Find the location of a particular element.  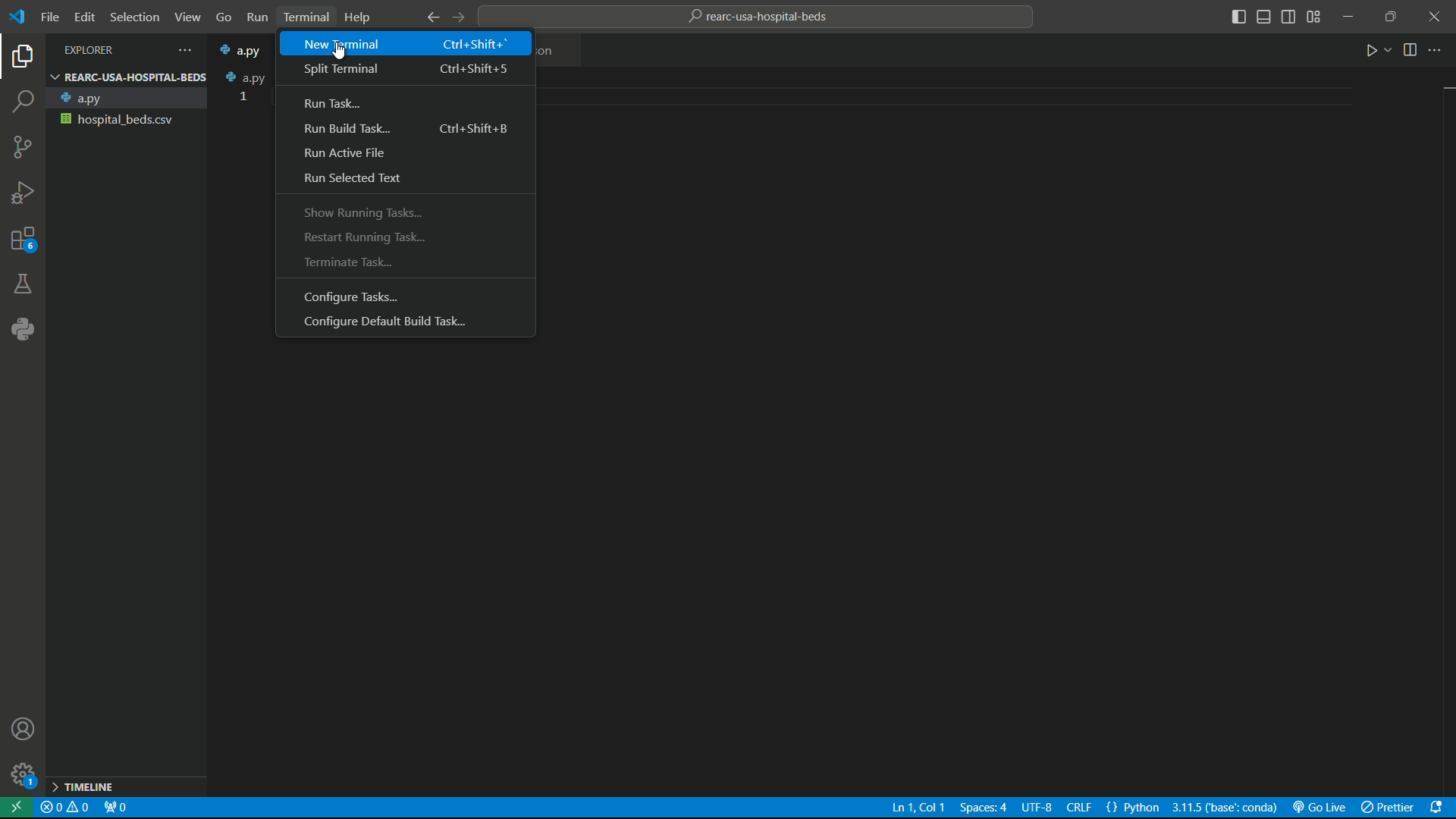

split terminal is located at coordinates (406, 70).